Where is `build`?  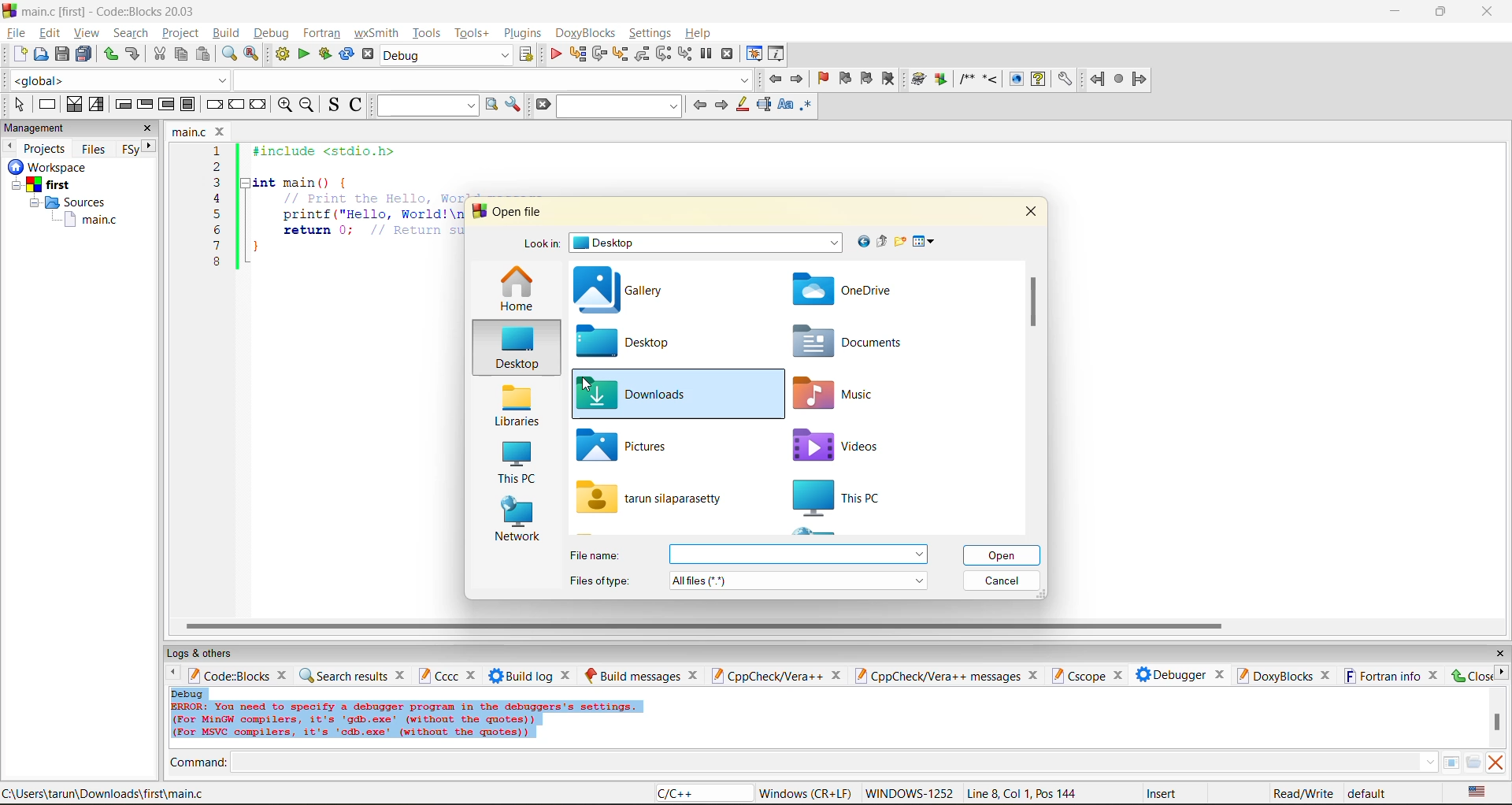 build is located at coordinates (919, 80).